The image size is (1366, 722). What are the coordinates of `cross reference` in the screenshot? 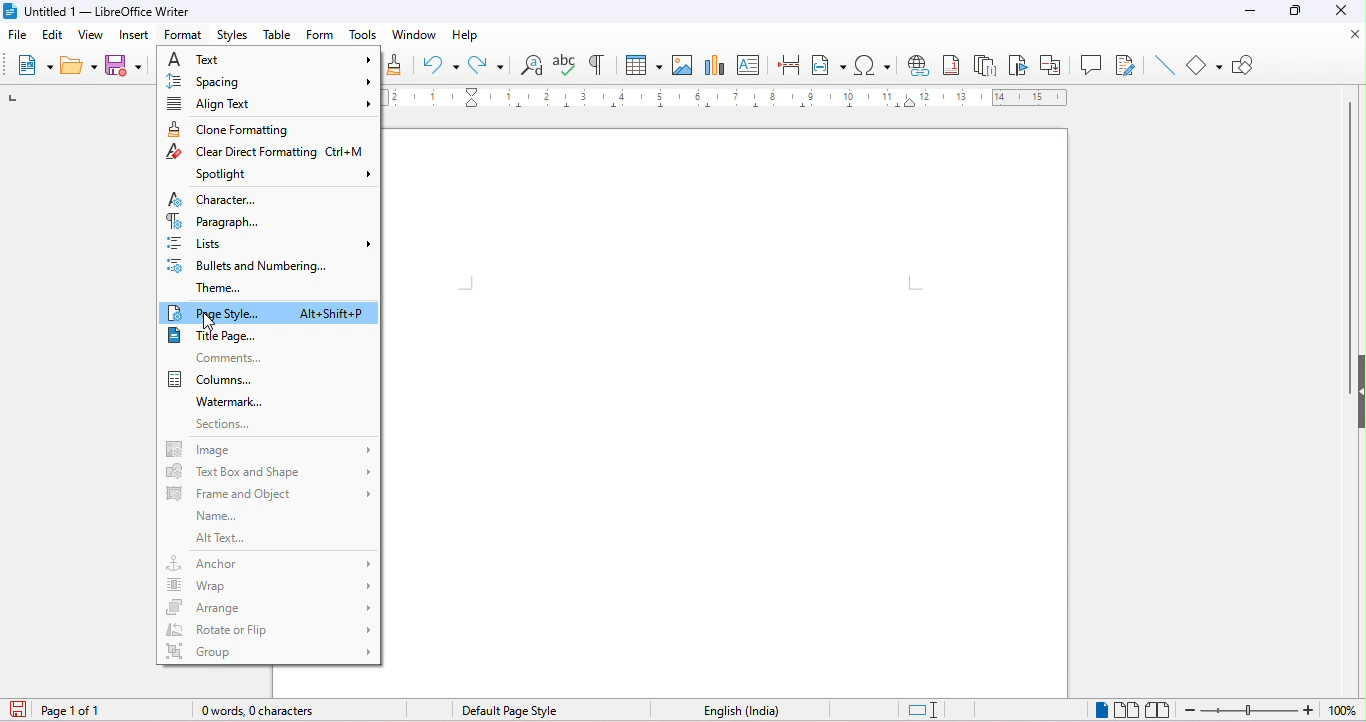 It's located at (1055, 64).